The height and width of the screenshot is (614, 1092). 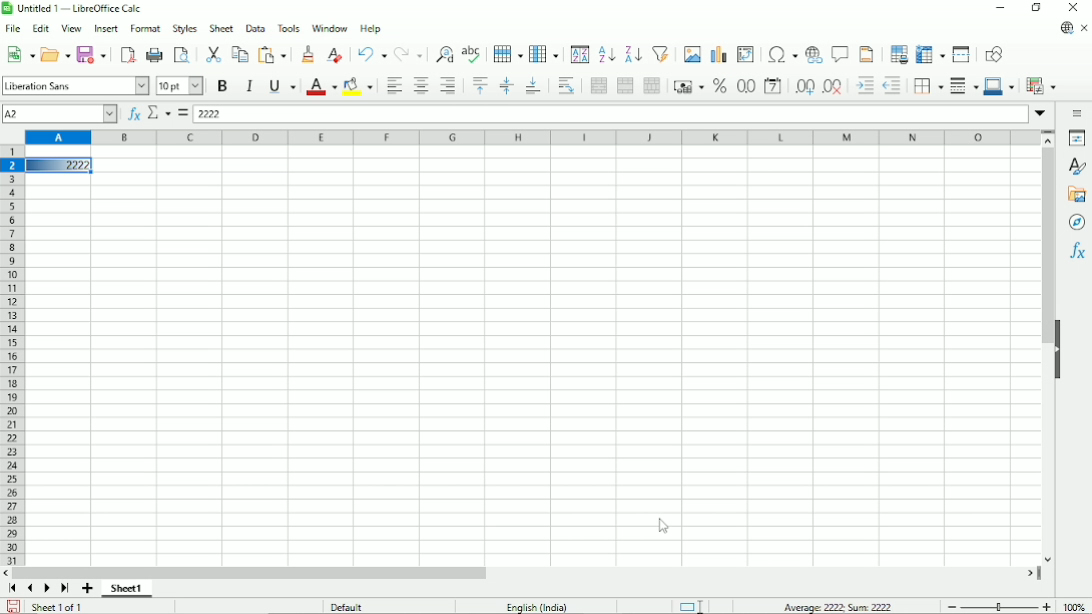 I want to click on Insert hyperlink, so click(x=812, y=55).